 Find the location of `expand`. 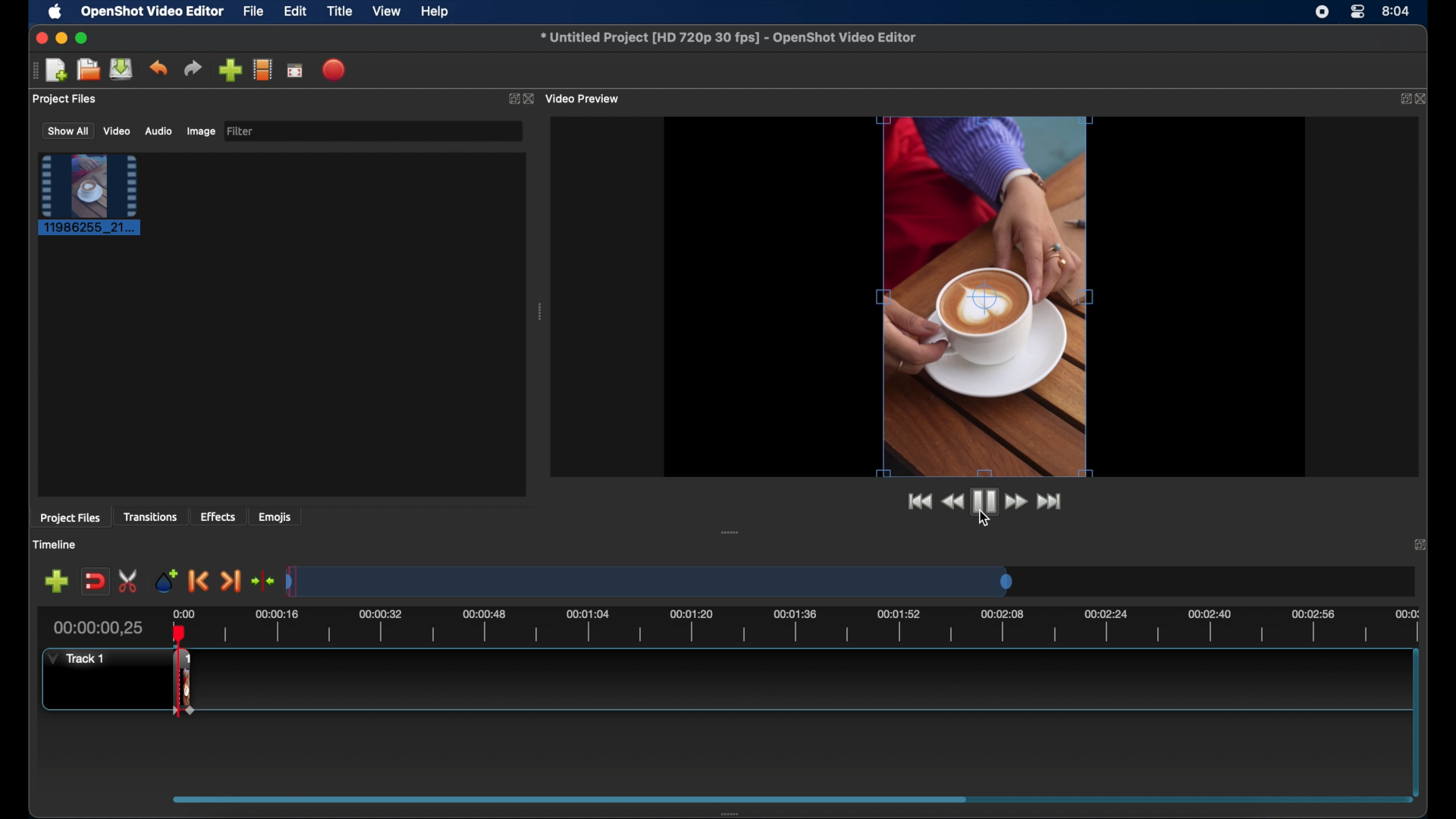

expand is located at coordinates (1401, 99).